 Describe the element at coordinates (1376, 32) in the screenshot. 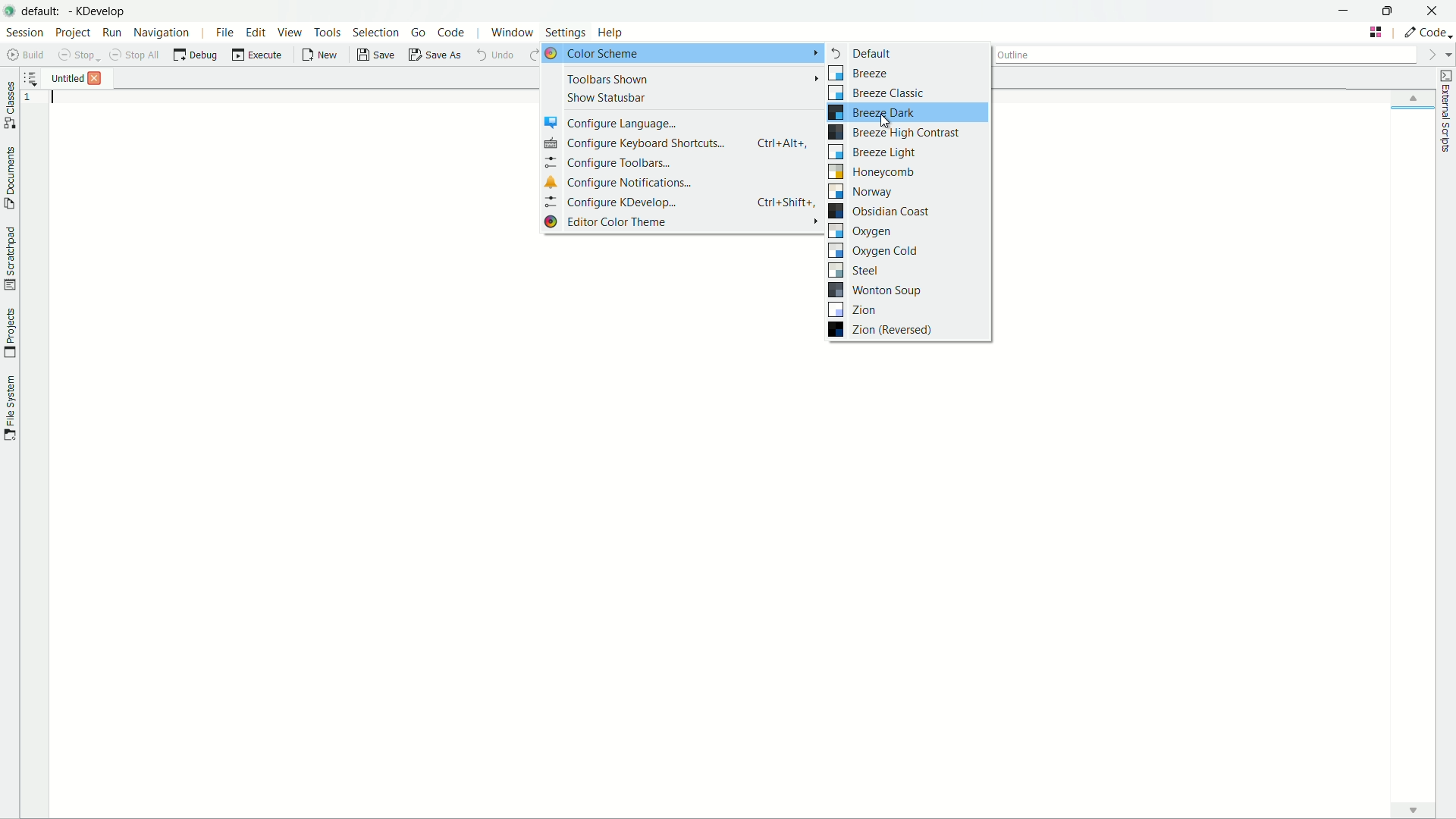

I see `change tab layout` at that location.